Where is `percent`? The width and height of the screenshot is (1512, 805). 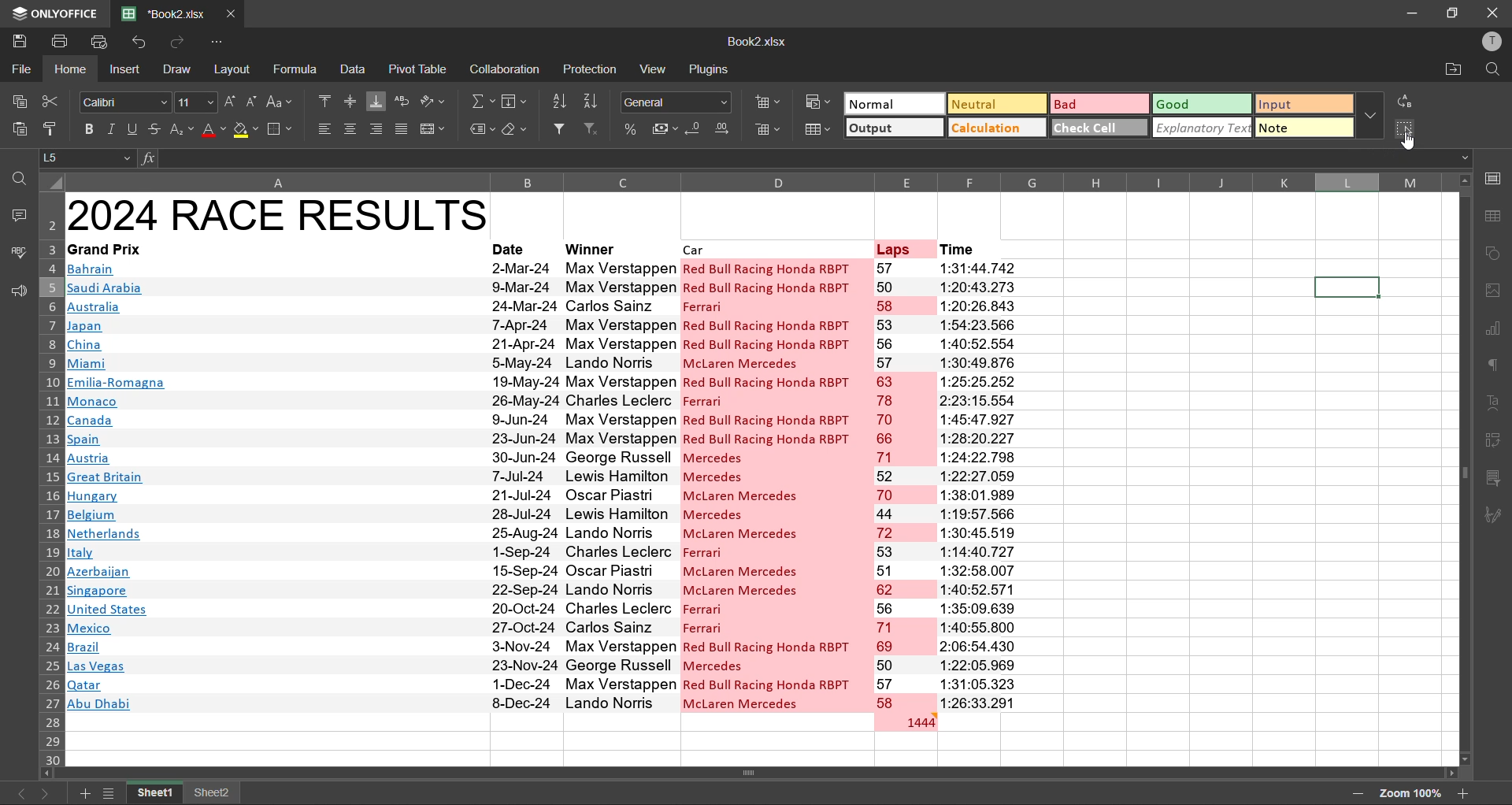 percent is located at coordinates (630, 129).